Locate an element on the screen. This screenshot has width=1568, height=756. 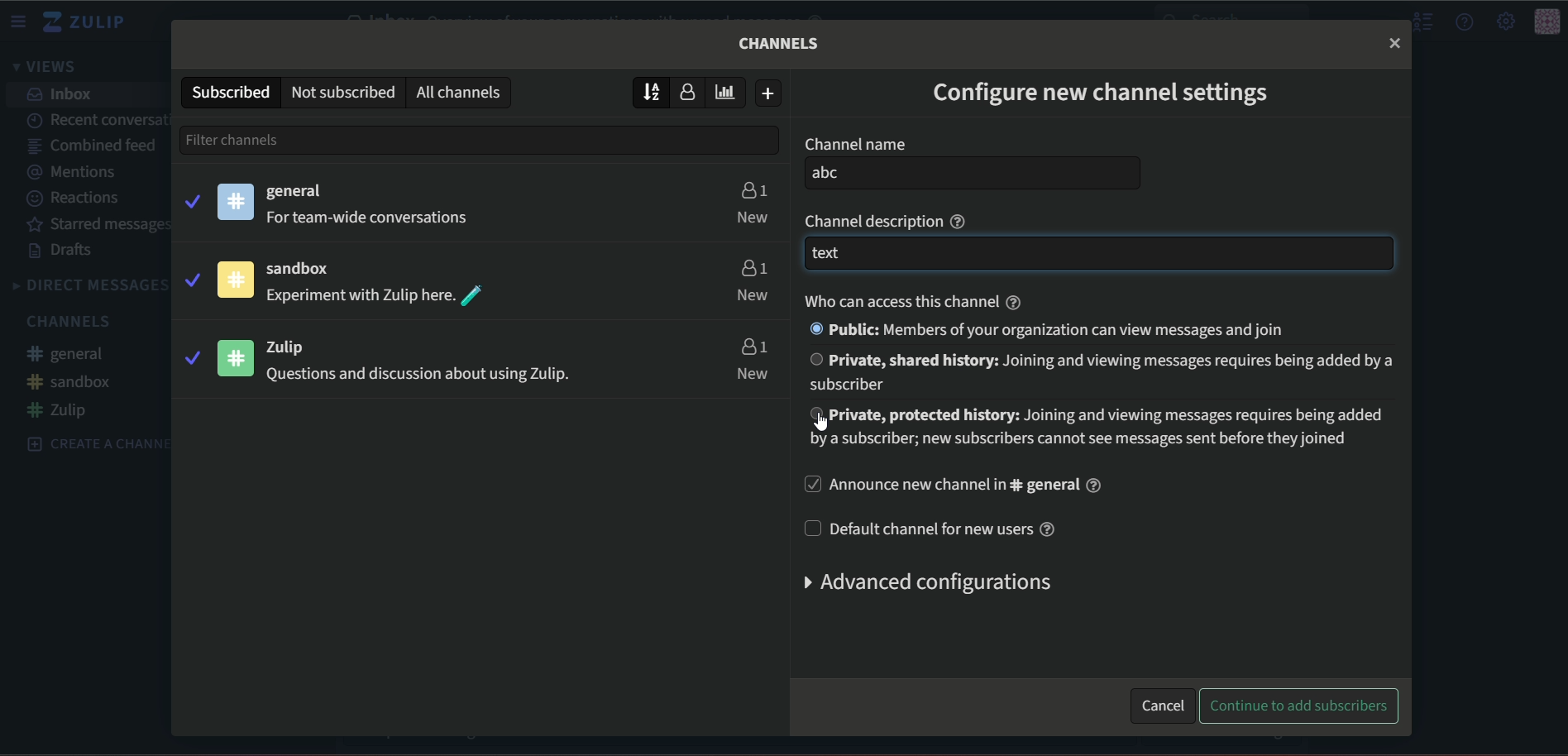
hide menu is located at coordinates (1421, 22).